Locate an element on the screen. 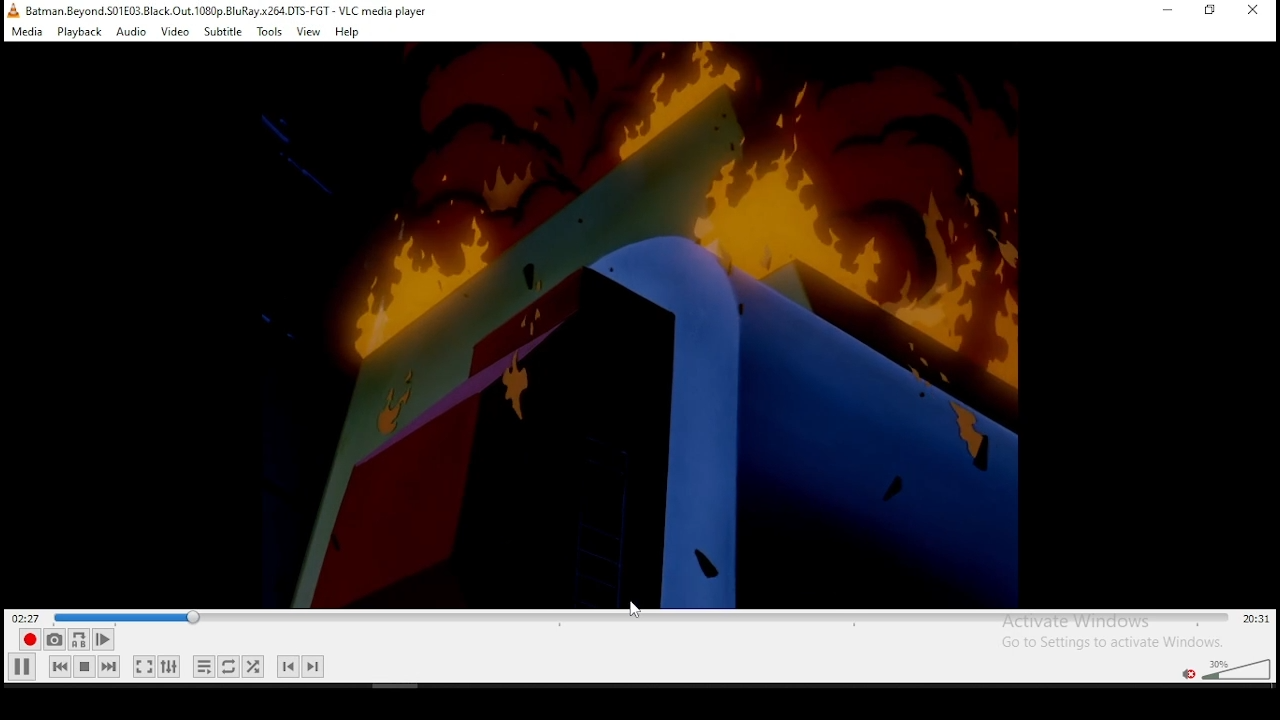  mute/unmute is located at coordinates (1187, 673).